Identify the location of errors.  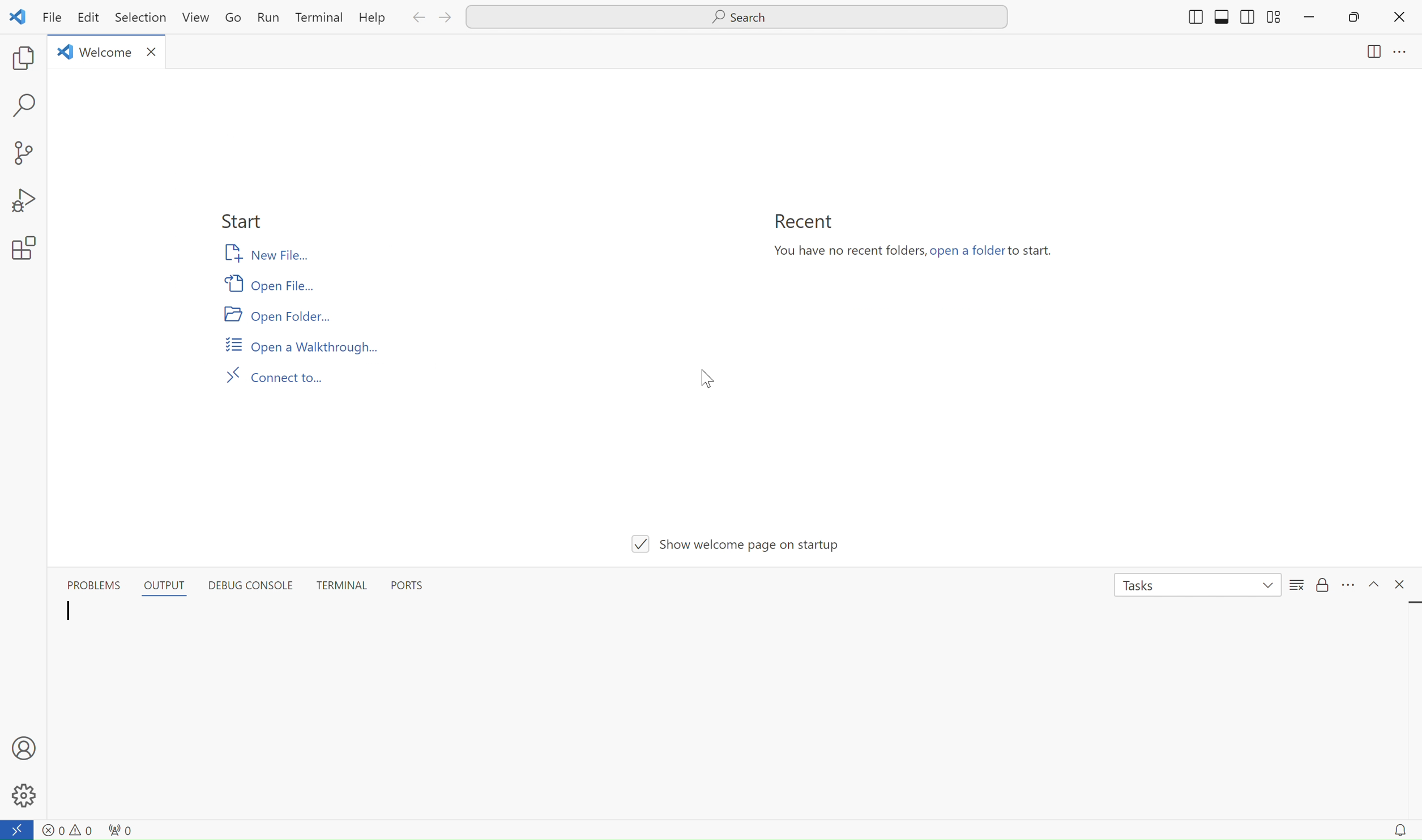
(65, 830).